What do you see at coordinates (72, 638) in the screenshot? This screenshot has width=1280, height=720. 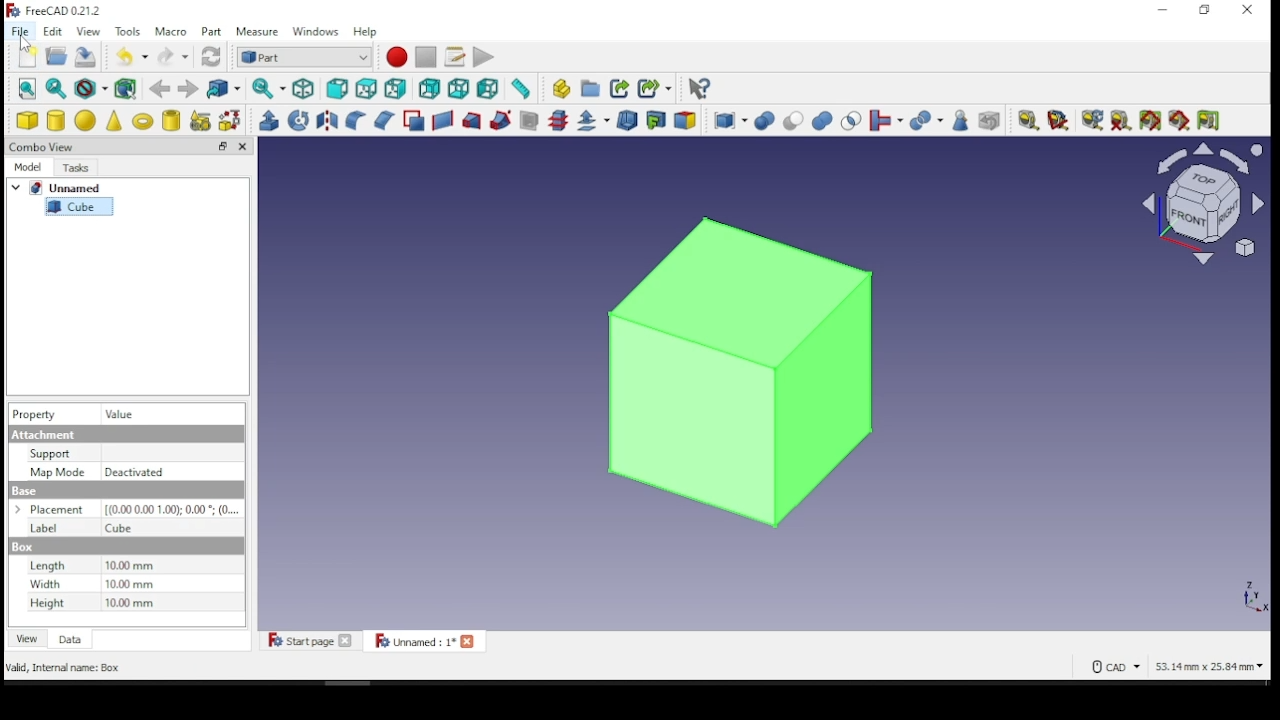 I see `data` at bounding box center [72, 638].